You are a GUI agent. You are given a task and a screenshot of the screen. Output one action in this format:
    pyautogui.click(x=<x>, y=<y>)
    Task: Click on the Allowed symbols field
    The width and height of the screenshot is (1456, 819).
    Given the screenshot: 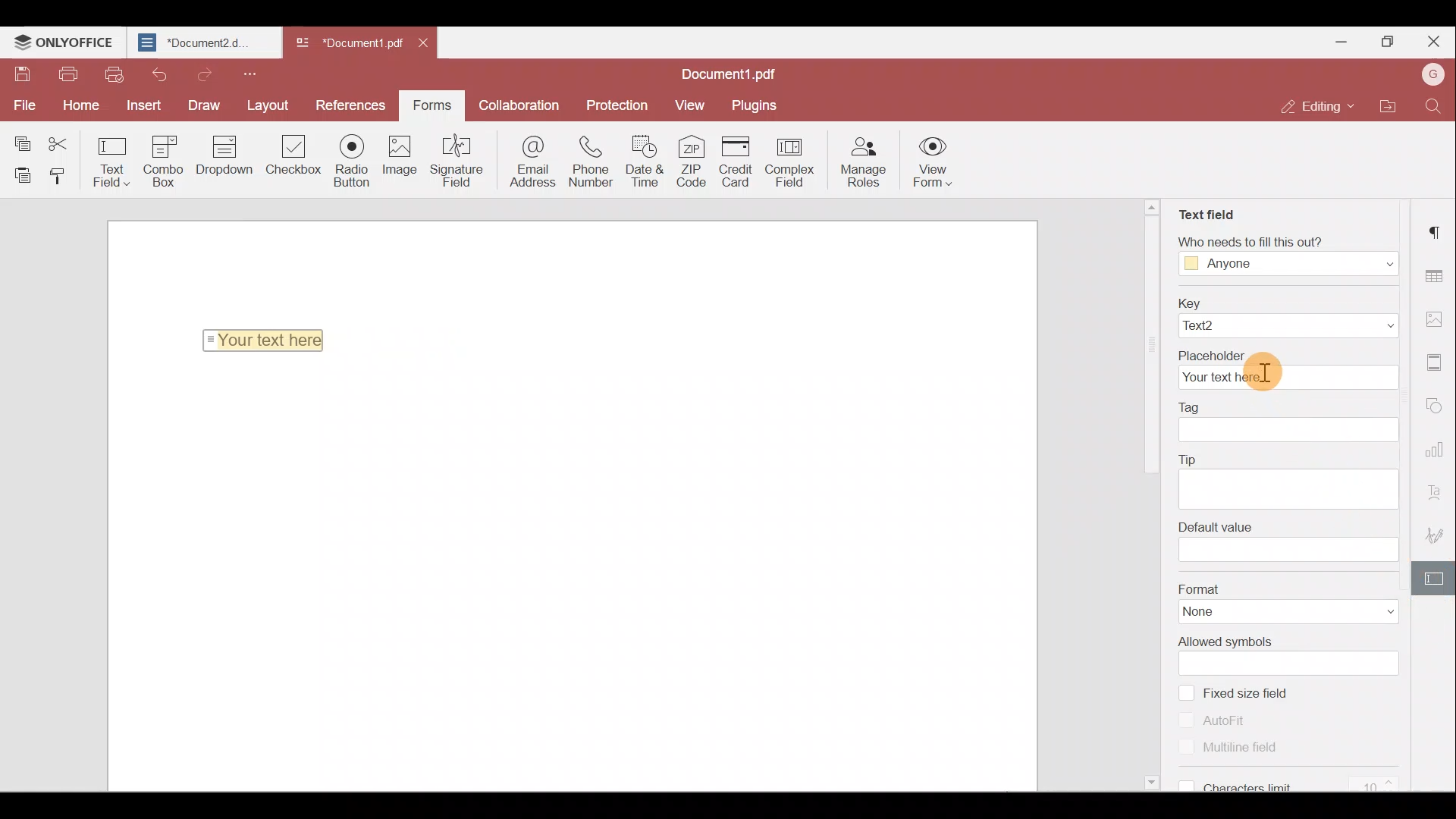 What is the action you would take?
    pyautogui.click(x=1297, y=664)
    